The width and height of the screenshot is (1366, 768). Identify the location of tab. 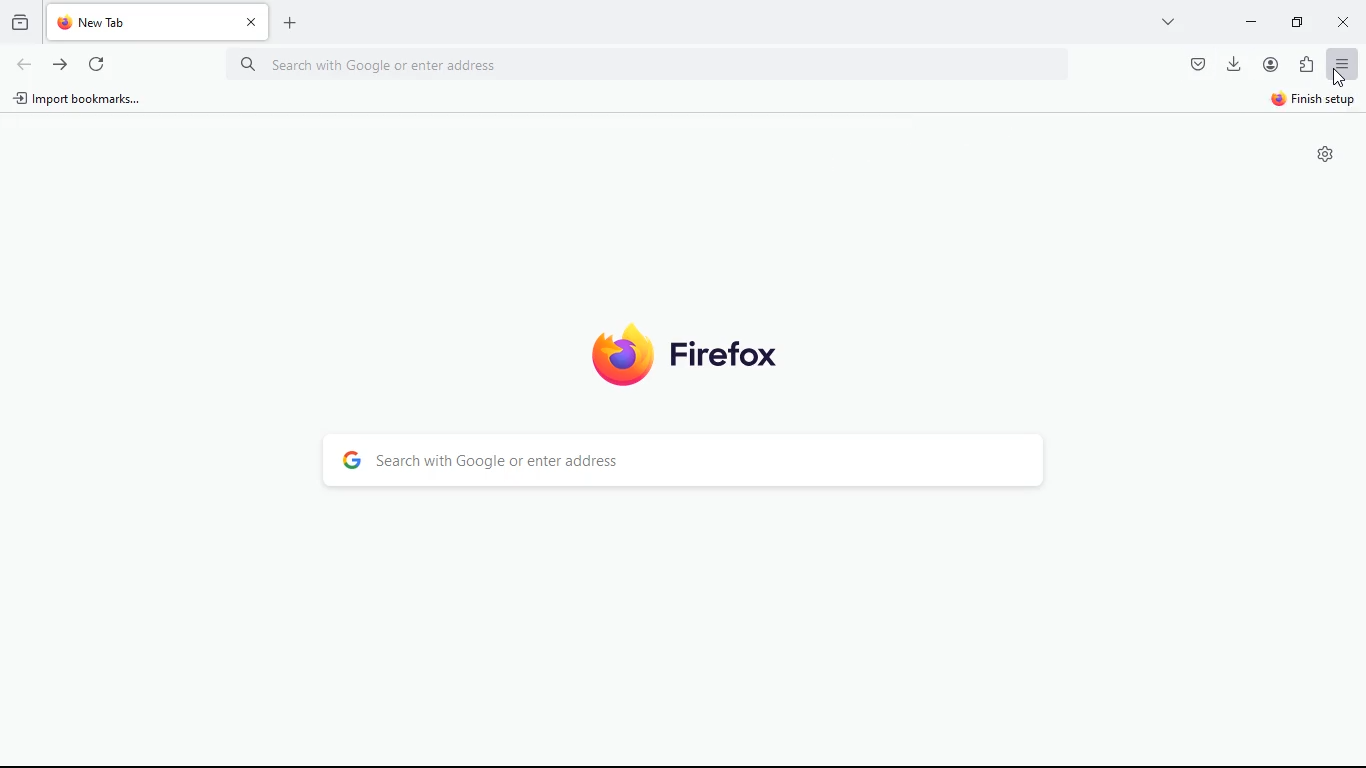
(158, 23).